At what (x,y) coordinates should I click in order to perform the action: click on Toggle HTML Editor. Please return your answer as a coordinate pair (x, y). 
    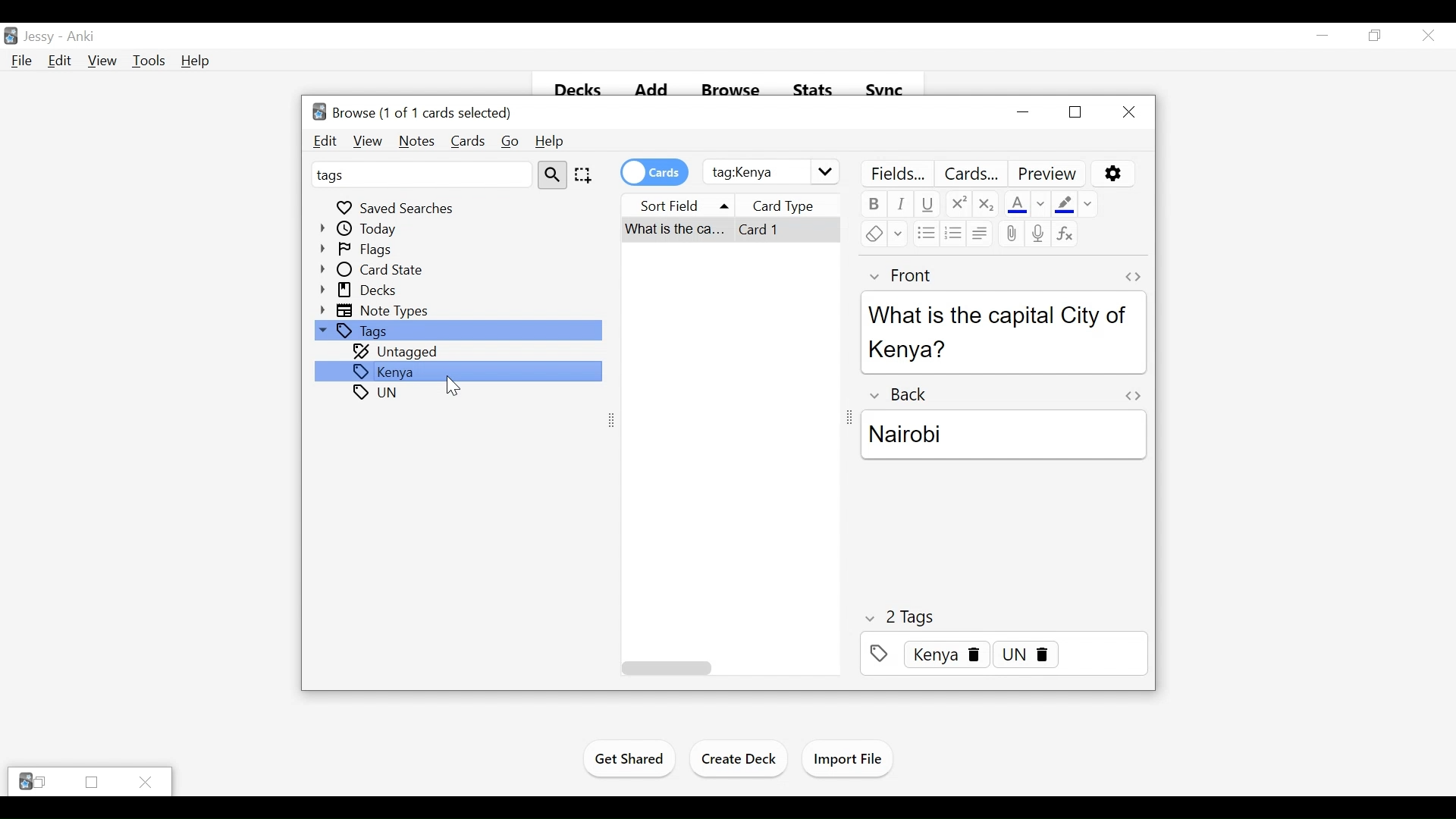
    Looking at the image, I should click on (1132, 277).